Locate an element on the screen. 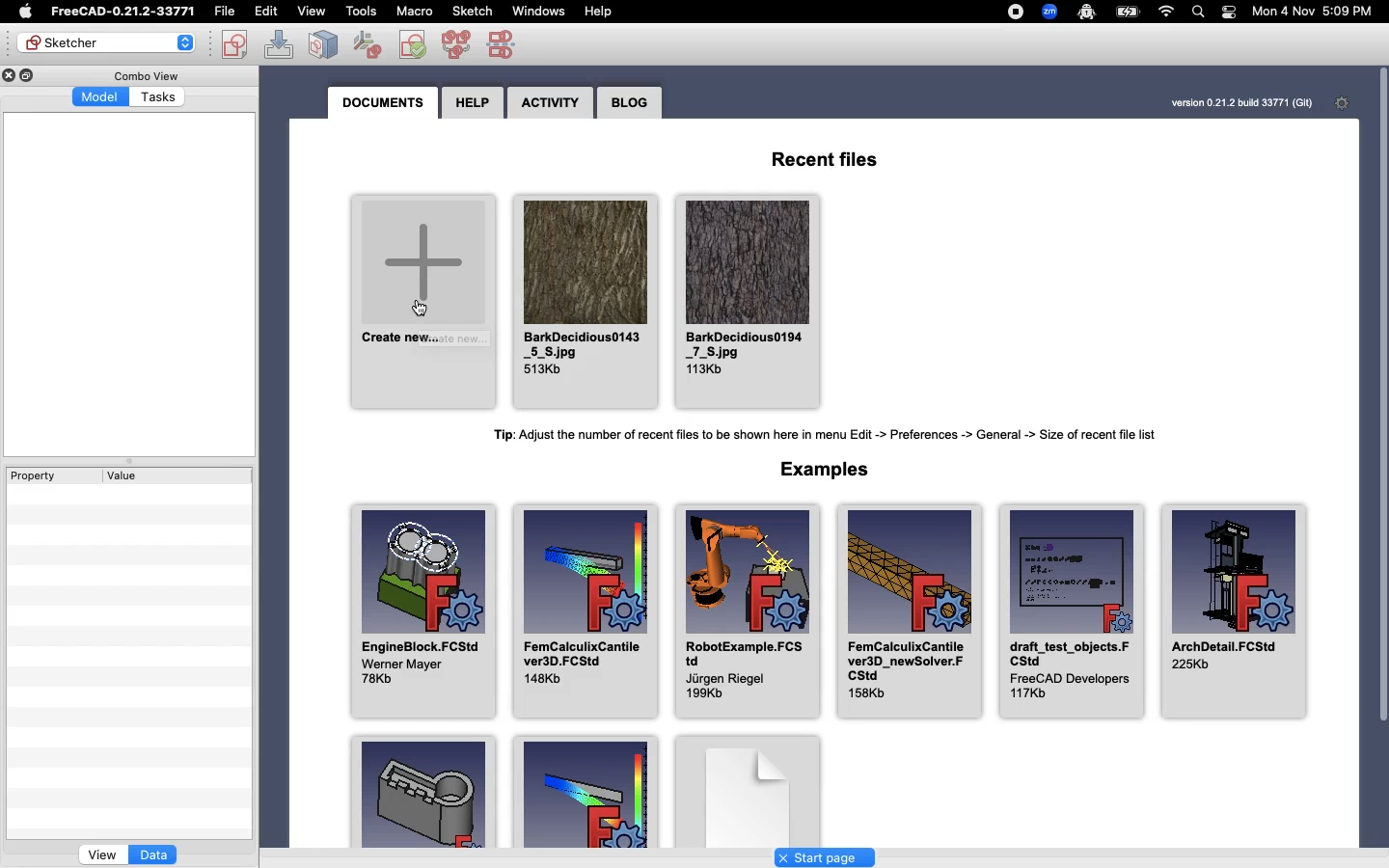  Value is located at coordinates (177, 475).